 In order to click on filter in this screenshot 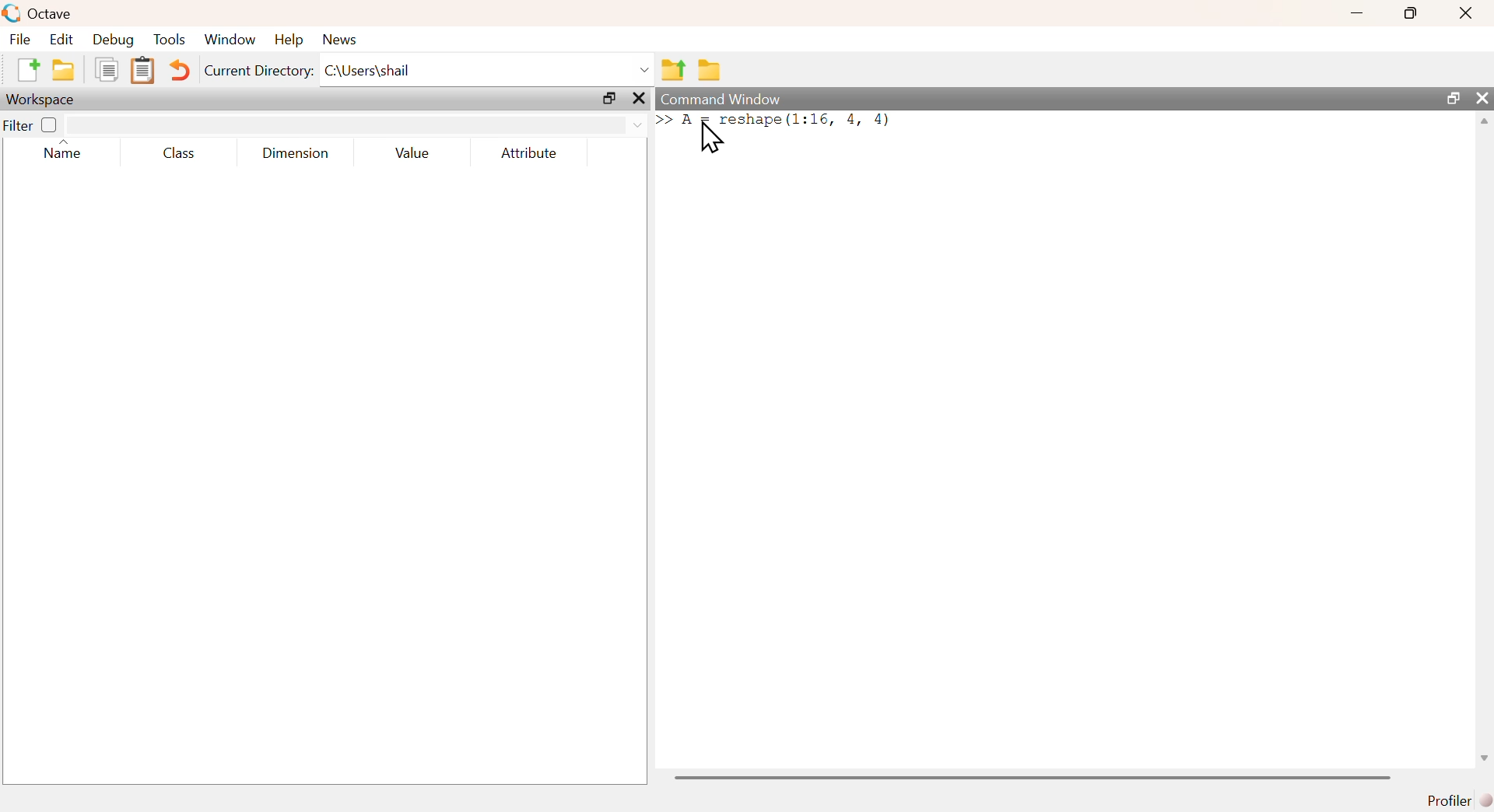, I will do `click(356, 125)`.